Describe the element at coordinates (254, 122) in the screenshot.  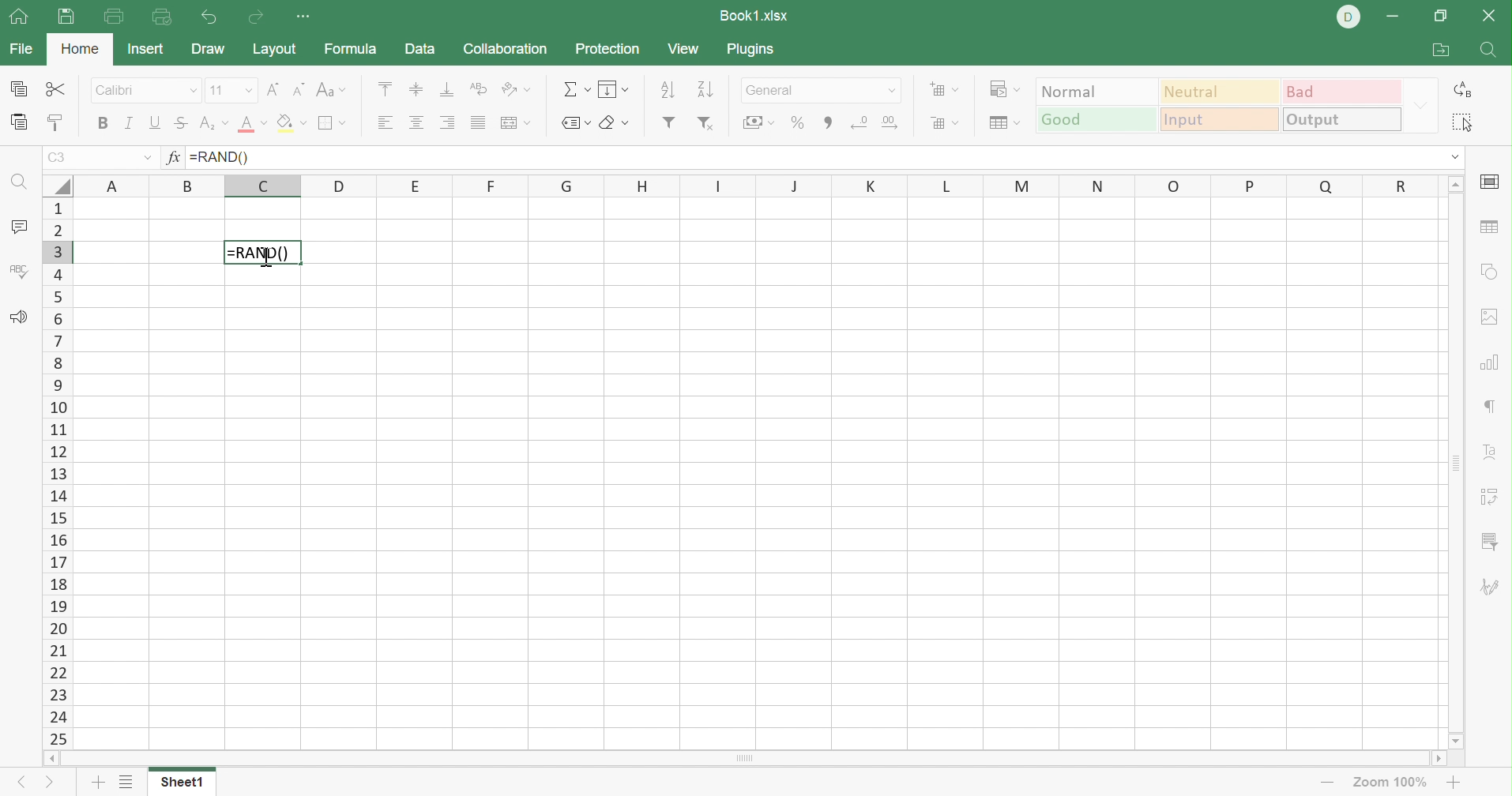
I see `Font color` at that location.